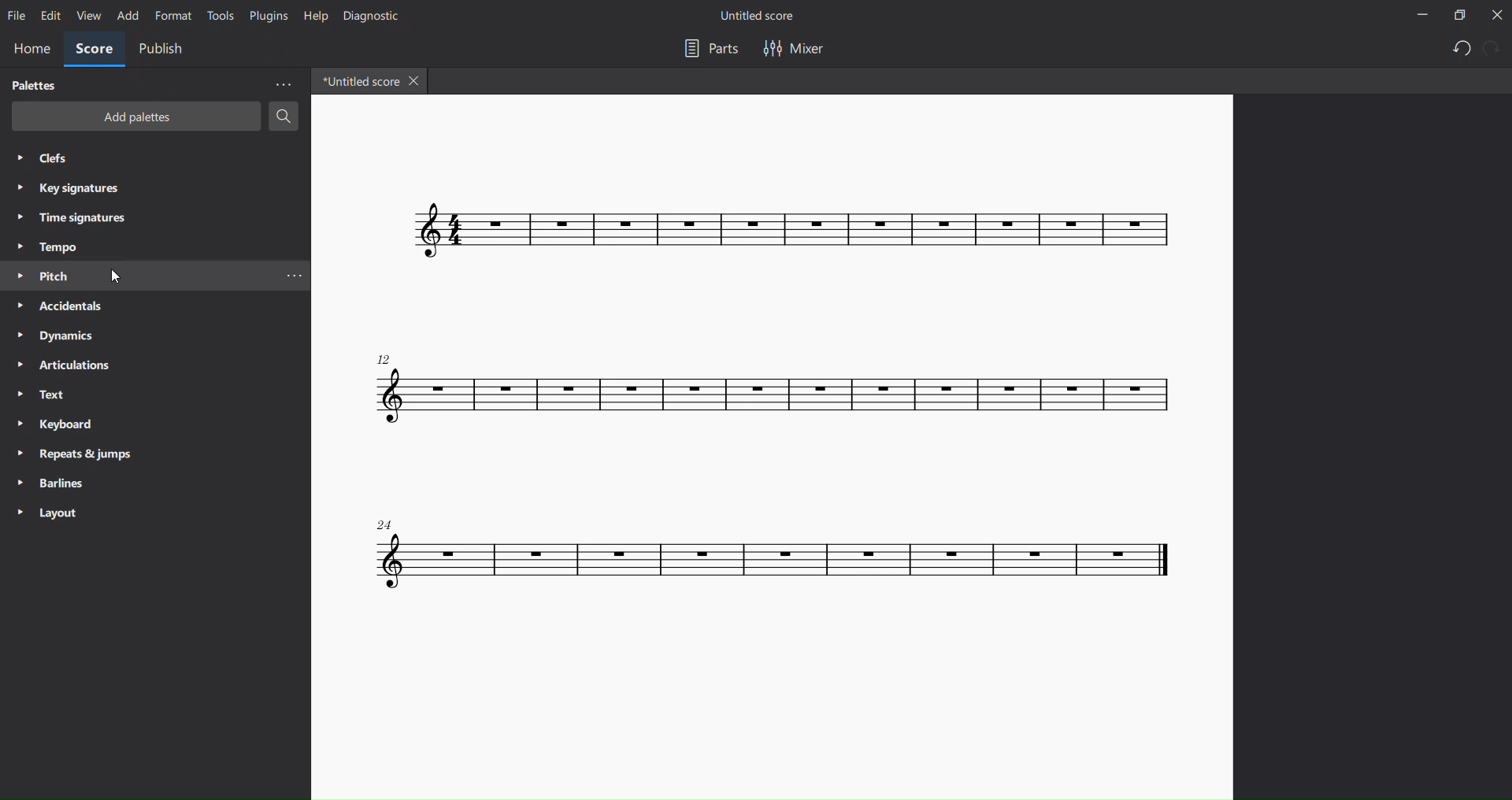  I want to click on barlines, so click(52, 482).